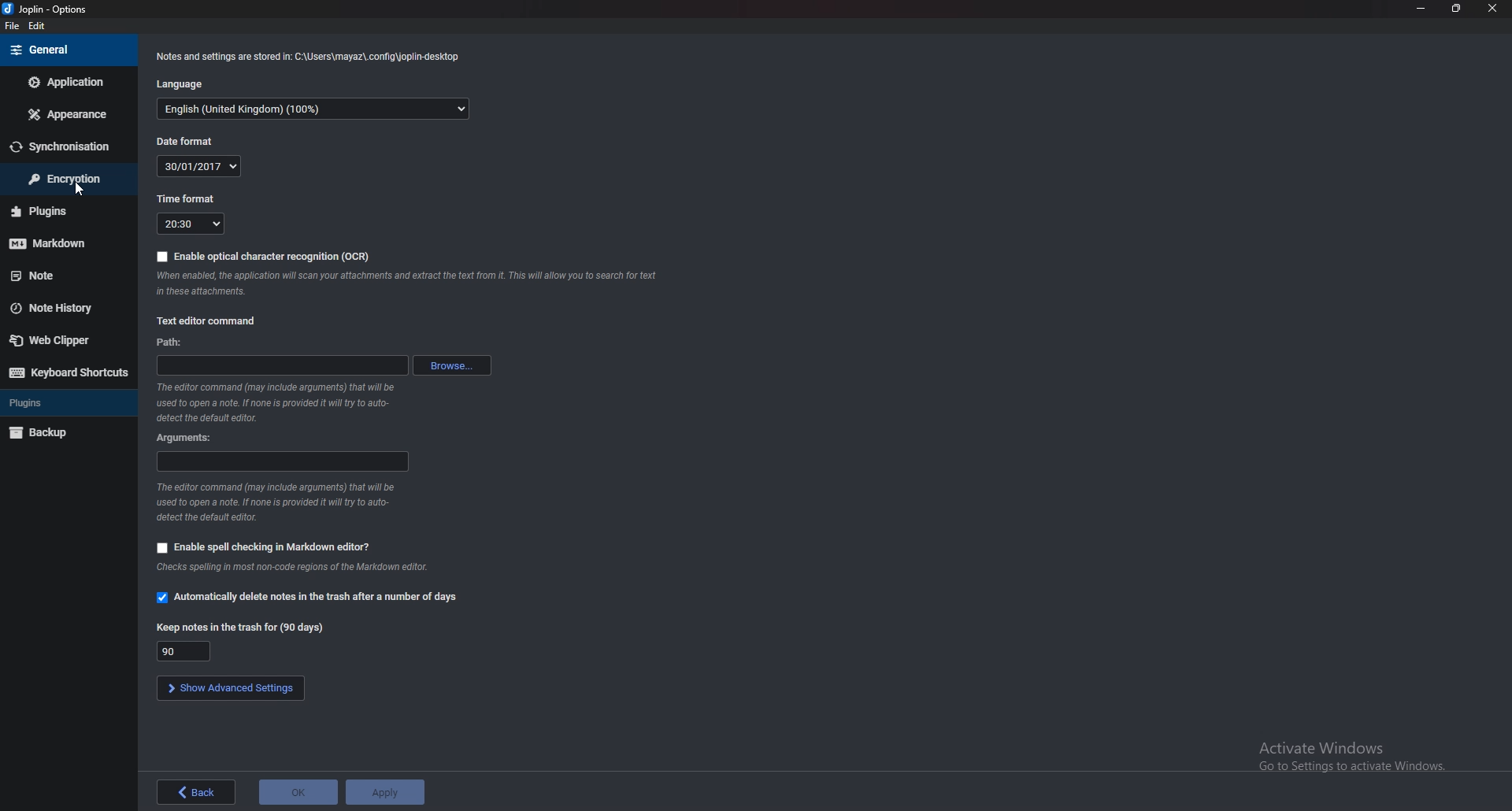 The image size is (1512, 811). Describe the element at coordinates (172, 343) in the screenshot. I see `path` at that location.